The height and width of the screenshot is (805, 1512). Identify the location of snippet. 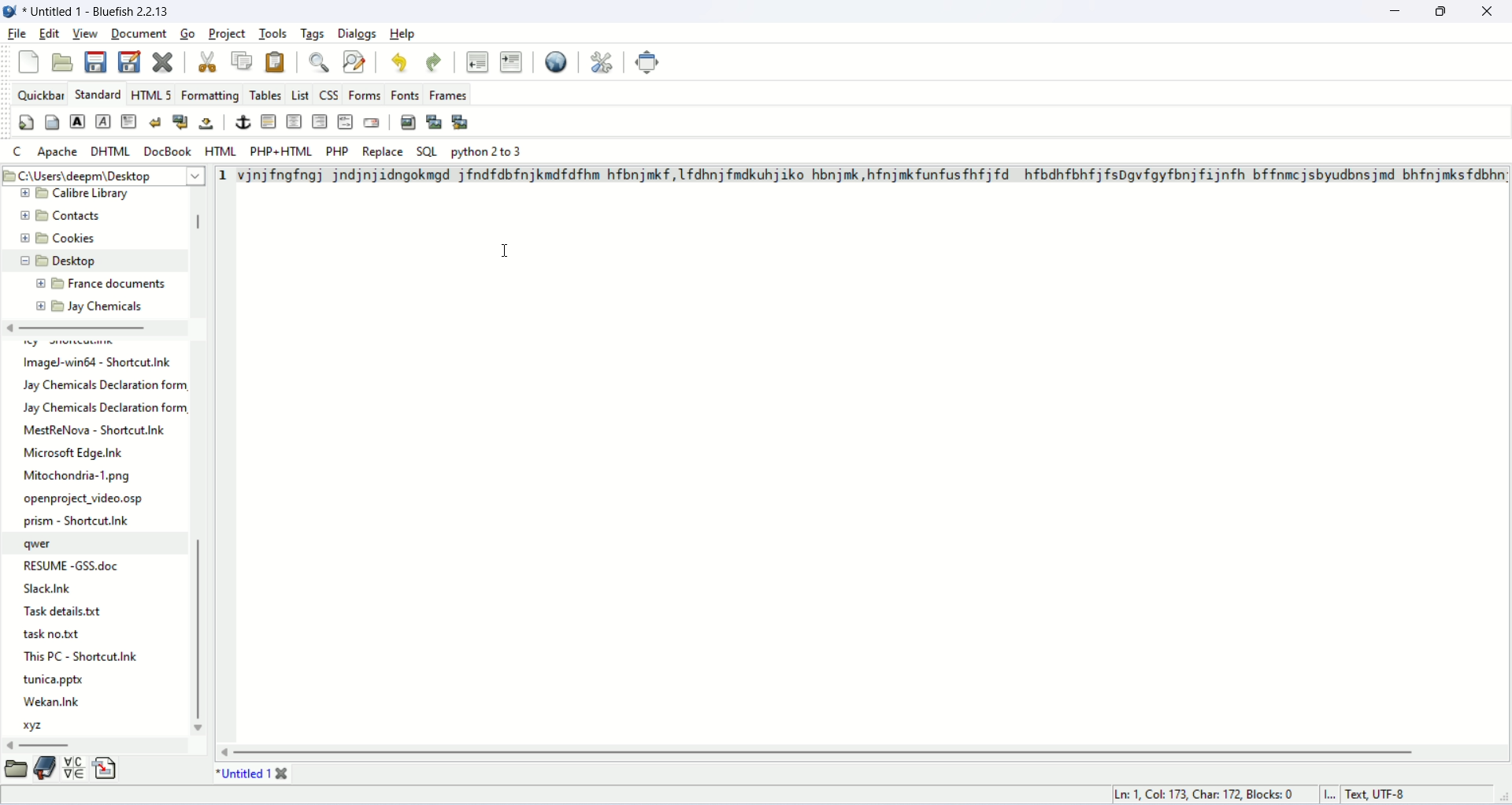
(105, 766).